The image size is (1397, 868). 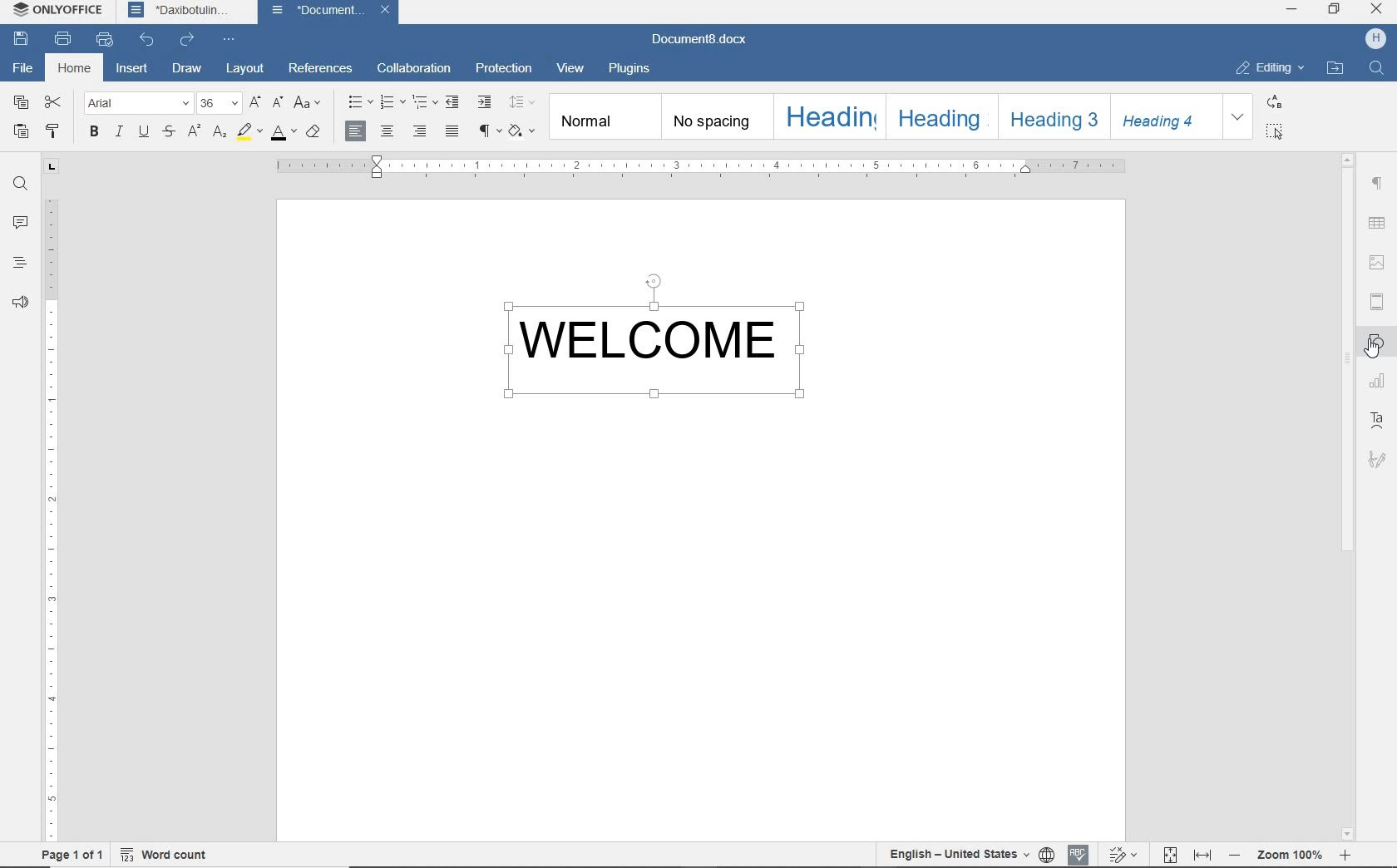 What do you see at coordinates (1170, 856) in the screenshot?
I see `FIT TO PAGE` at bounding box center [1170, 856].